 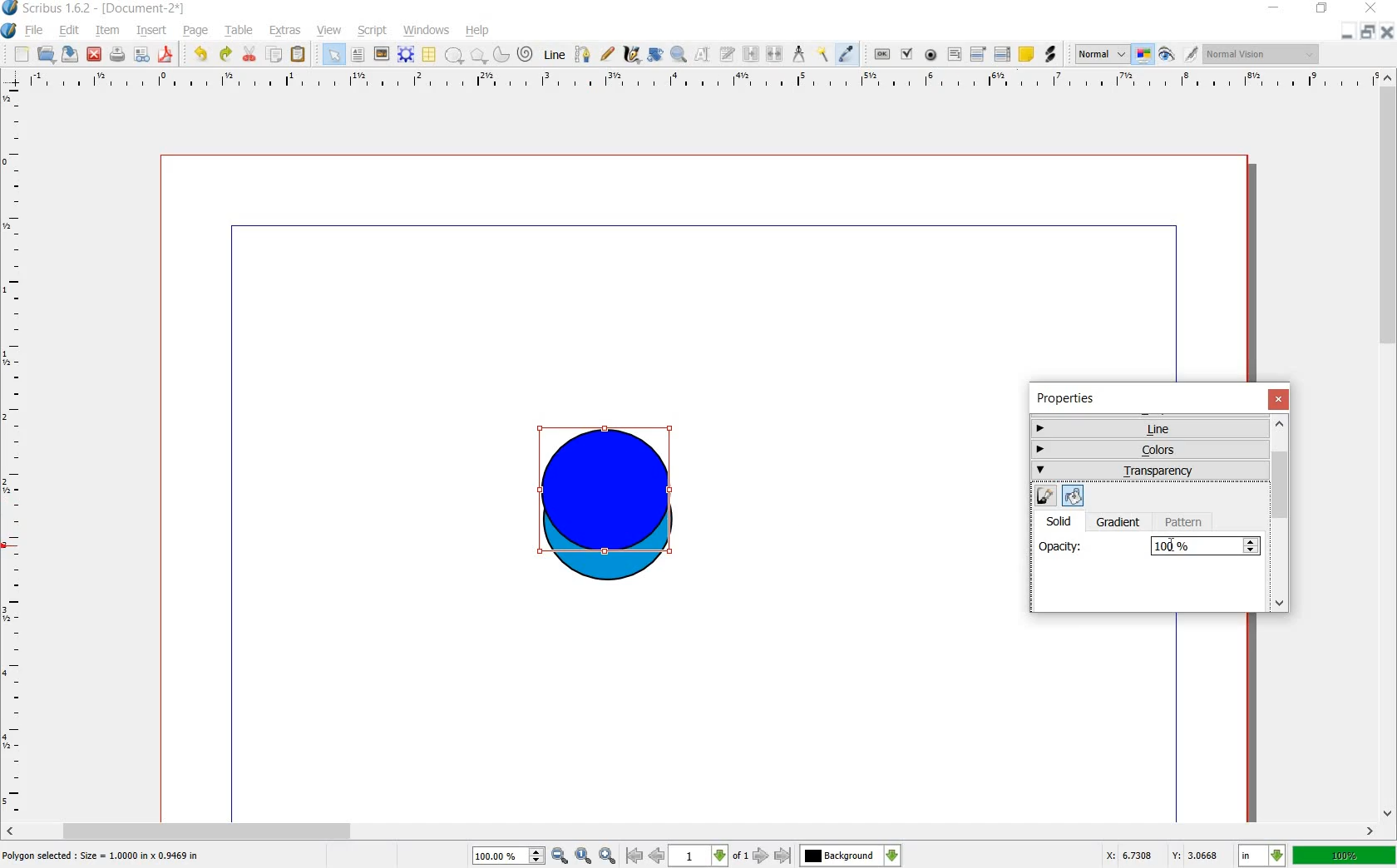 I want to click on spiral, so click(x=525, y=55).